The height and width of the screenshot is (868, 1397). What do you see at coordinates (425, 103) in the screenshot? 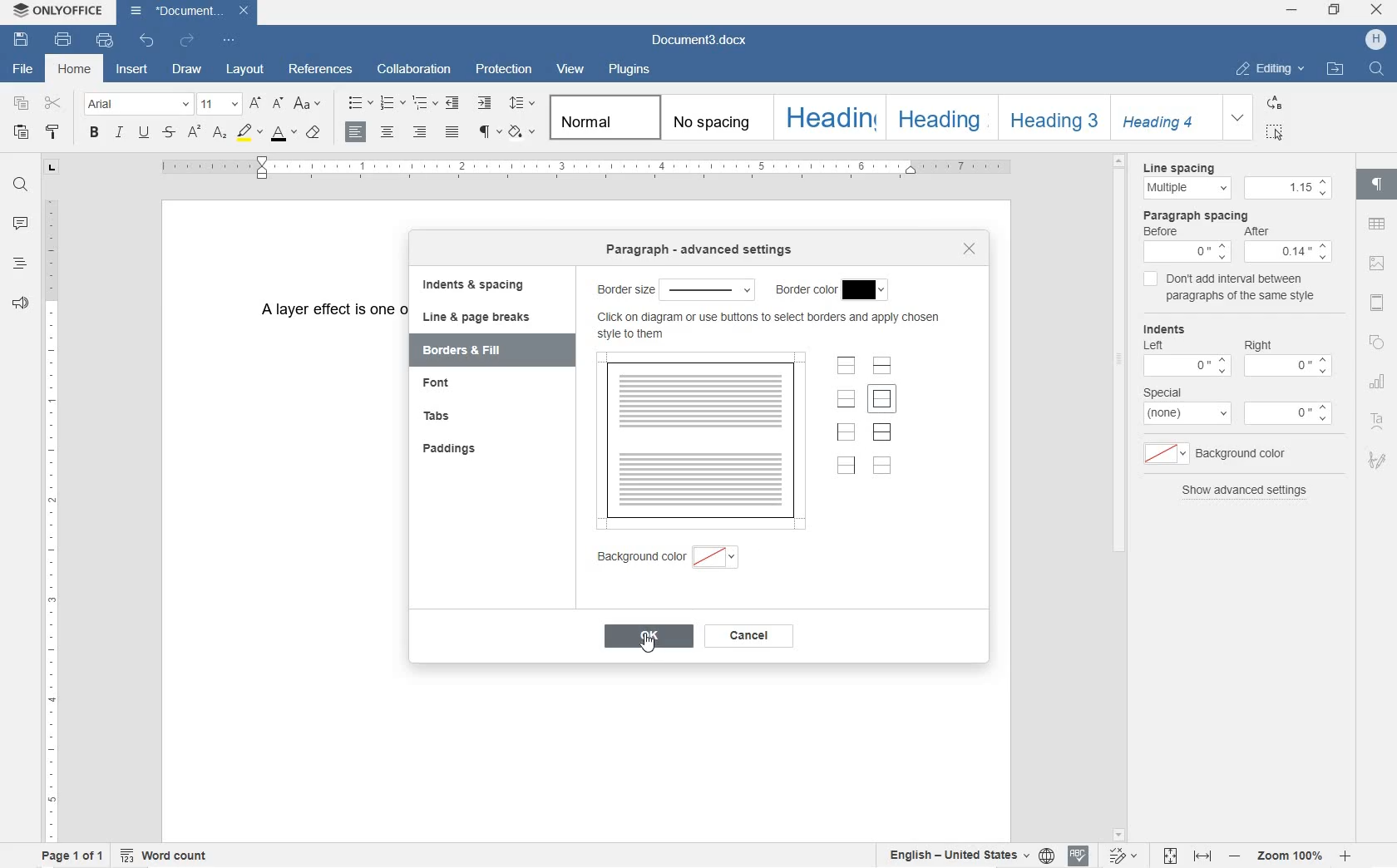
I see `MULTILEVEL LISTS` at bounding box center [425, 103].